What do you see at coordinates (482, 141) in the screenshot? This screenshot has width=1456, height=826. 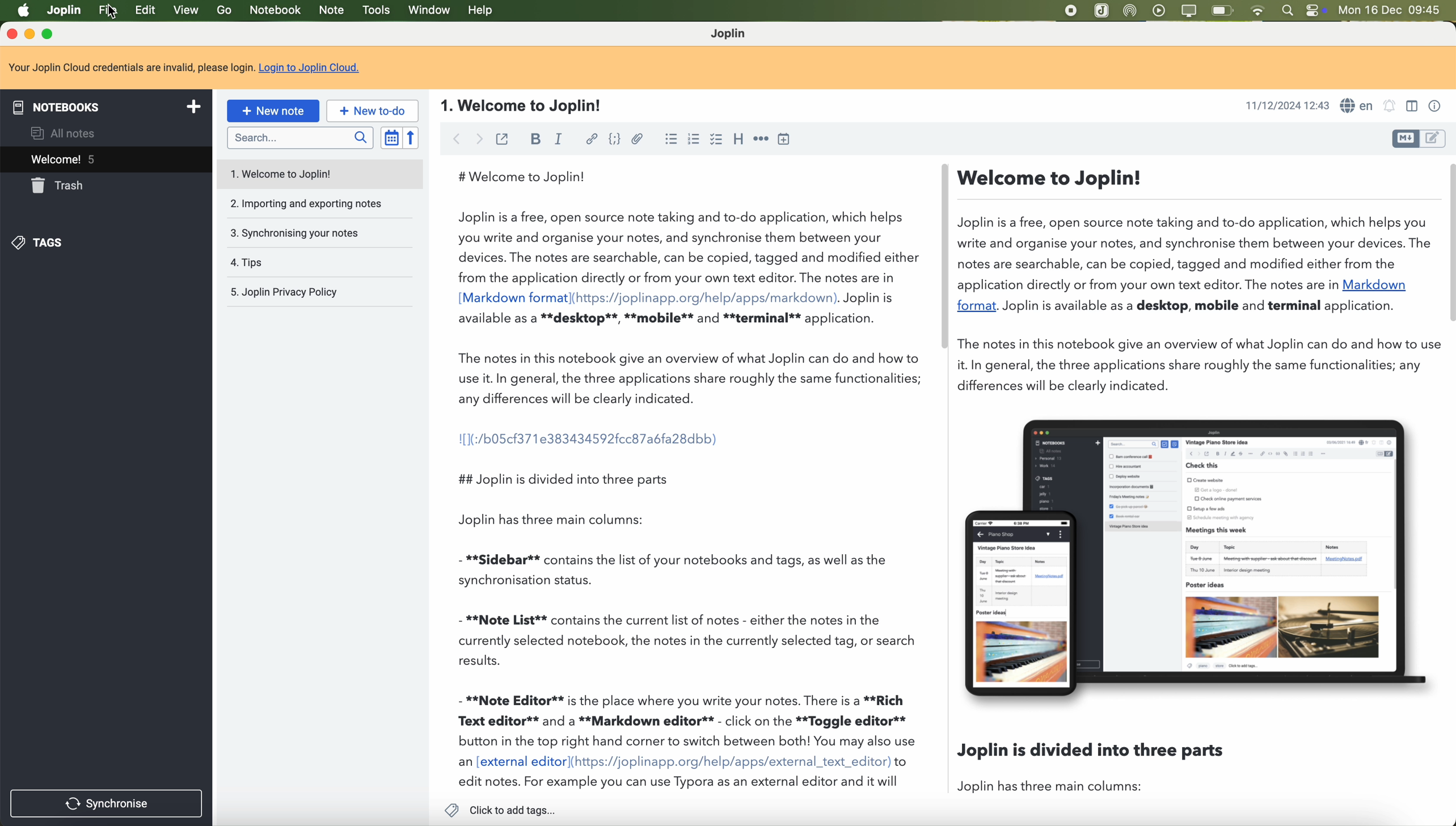 I see `foward` at bounding box center [482, 141].